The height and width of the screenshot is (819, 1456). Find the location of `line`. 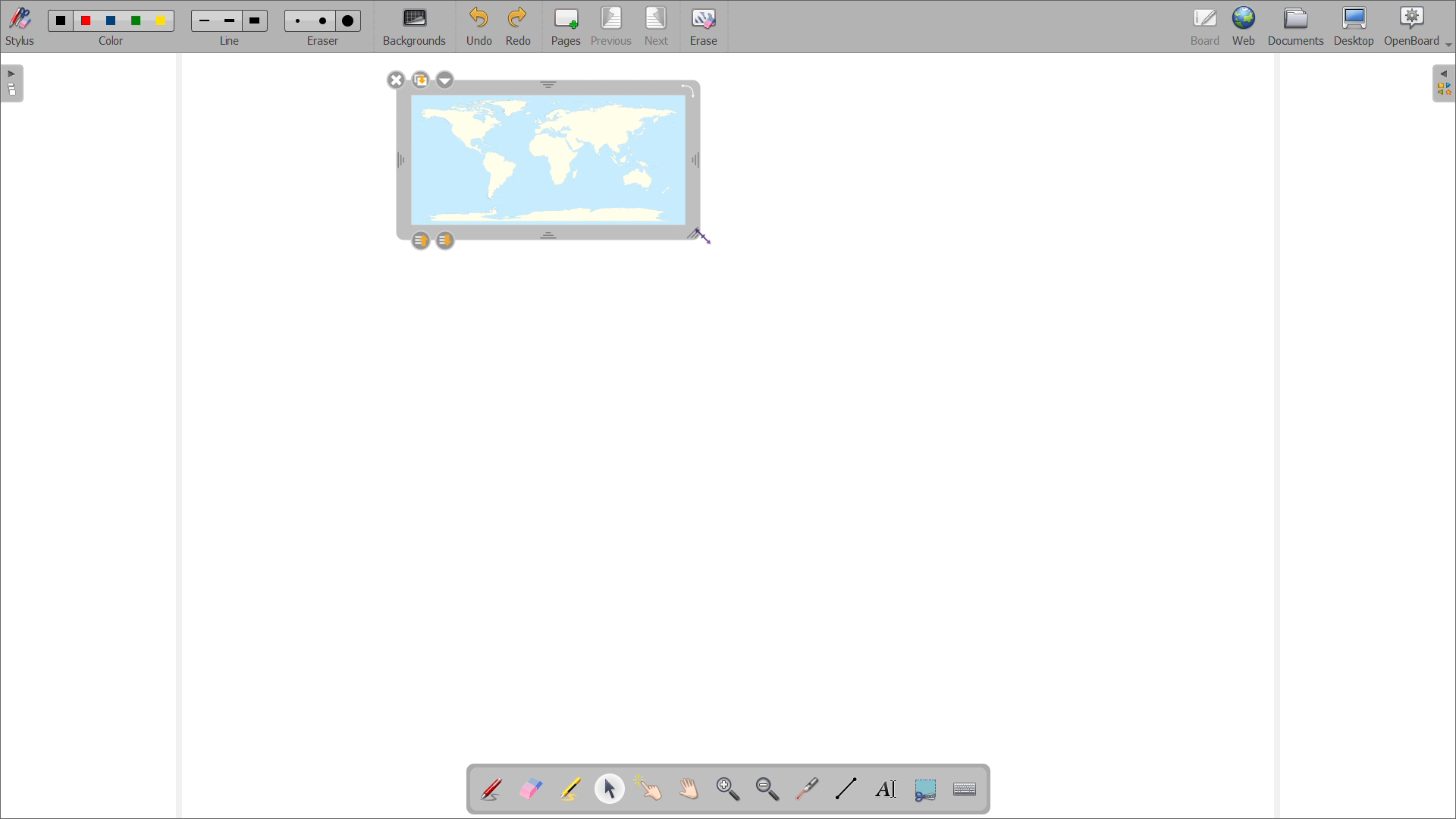

line is located at coordinates (230, 42).